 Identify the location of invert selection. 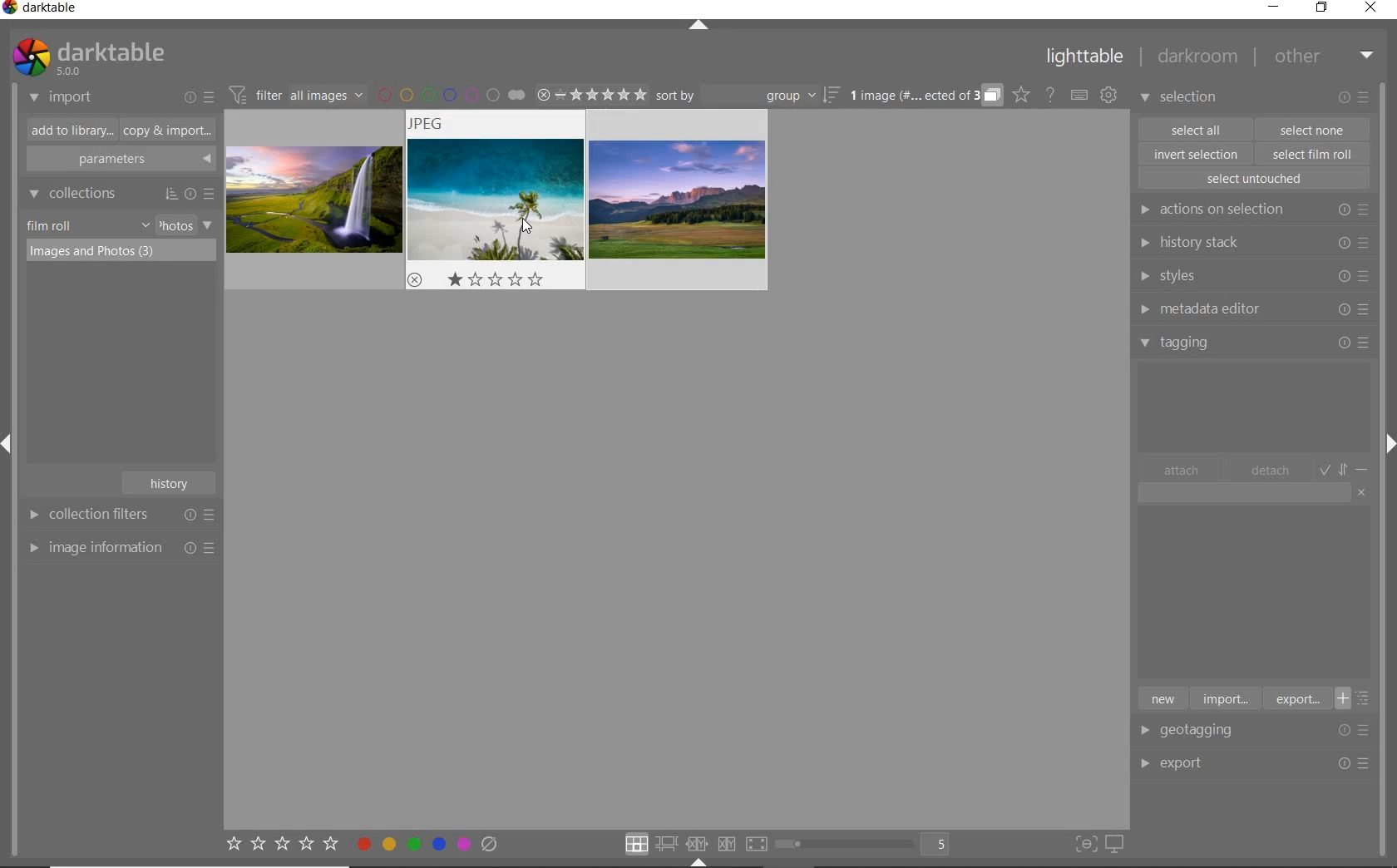
(1197, 154).